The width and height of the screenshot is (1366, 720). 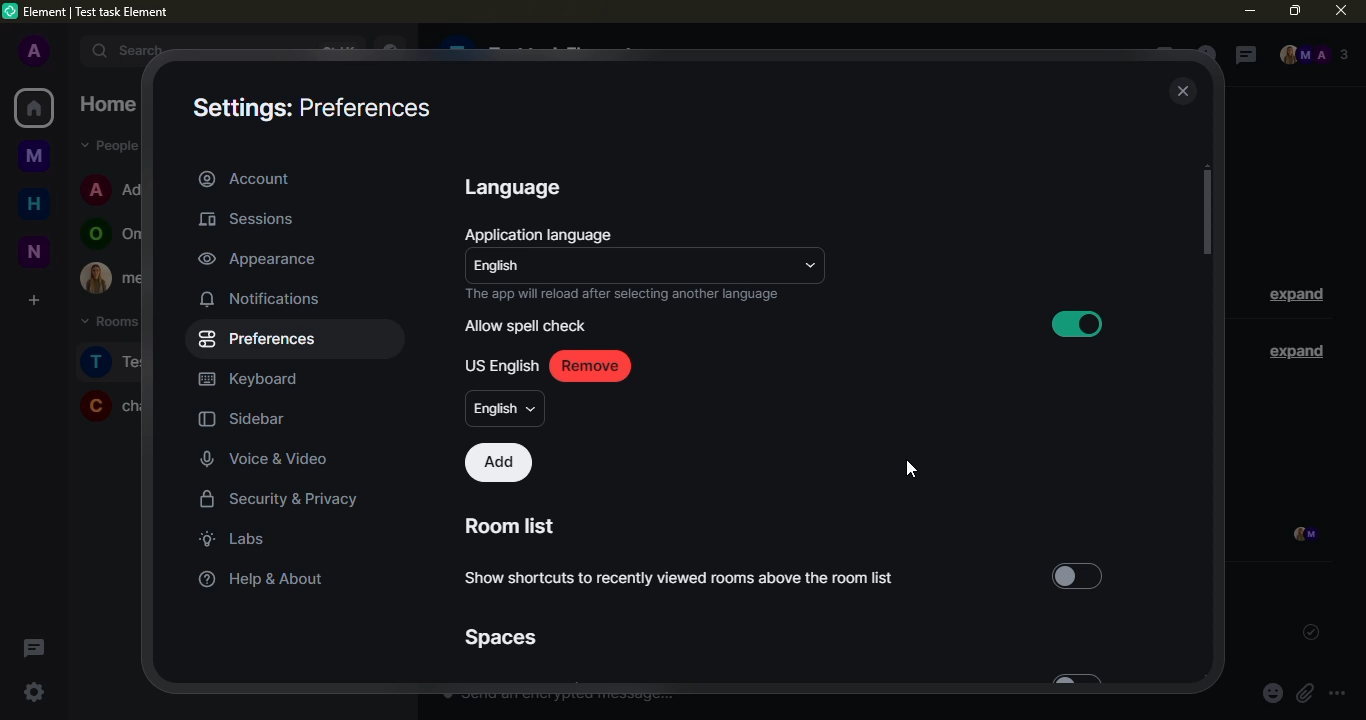 What do you see at coordinates (507, 409) in the screenshot?
I see `english` at bounding box center [507, 409].